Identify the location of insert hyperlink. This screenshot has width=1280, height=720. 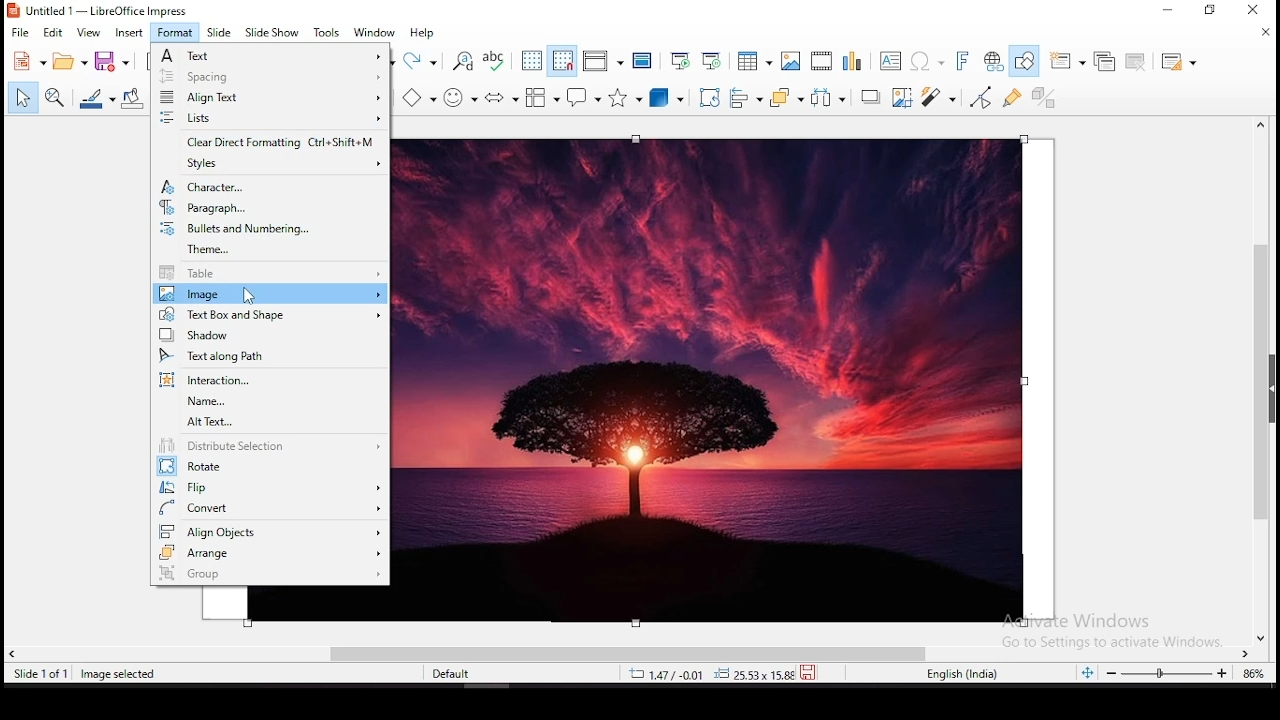
(996, 61).